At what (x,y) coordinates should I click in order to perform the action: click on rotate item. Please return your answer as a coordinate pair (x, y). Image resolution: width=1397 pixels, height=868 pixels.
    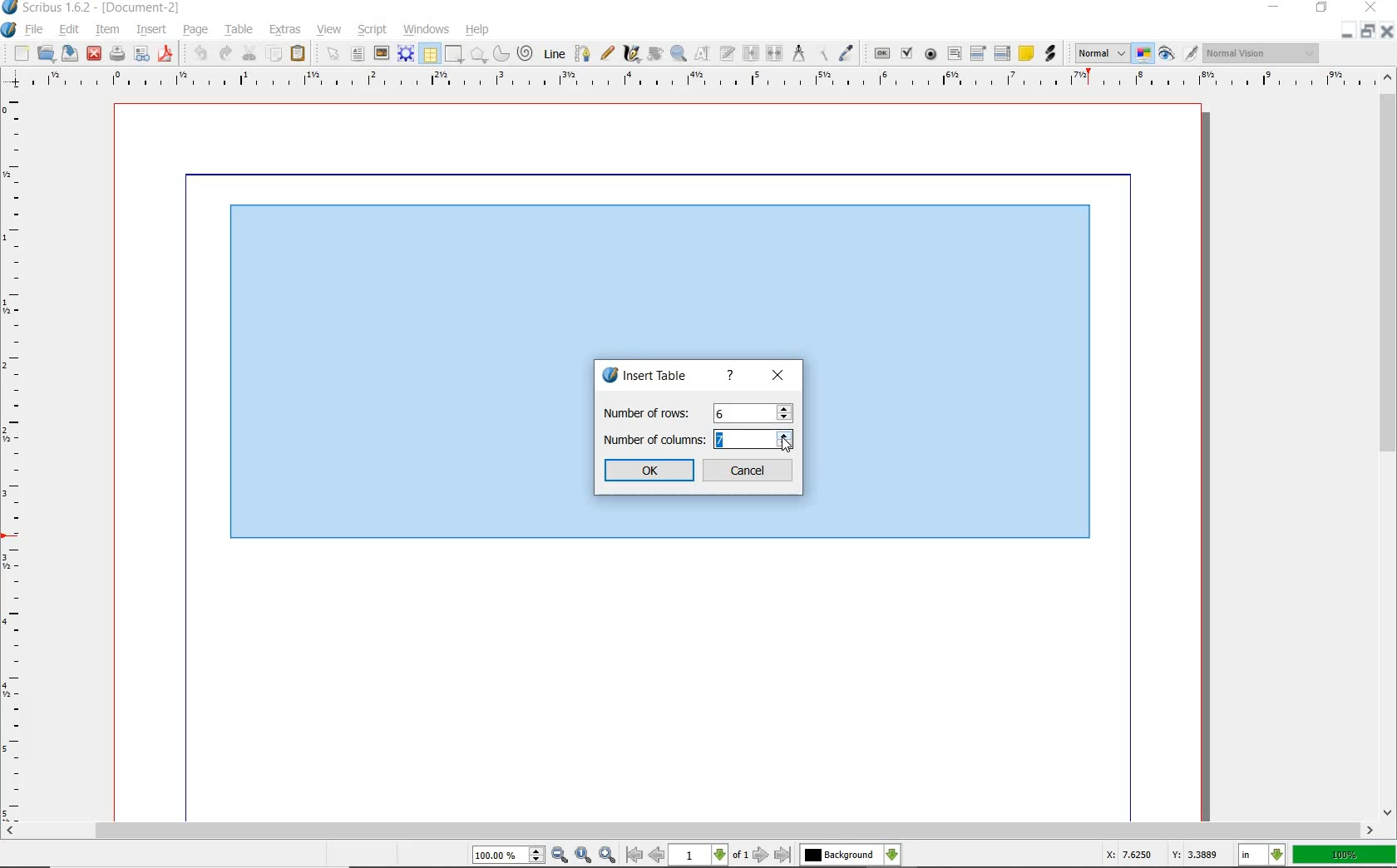
    Looking at the image, I should click on (654, 55).